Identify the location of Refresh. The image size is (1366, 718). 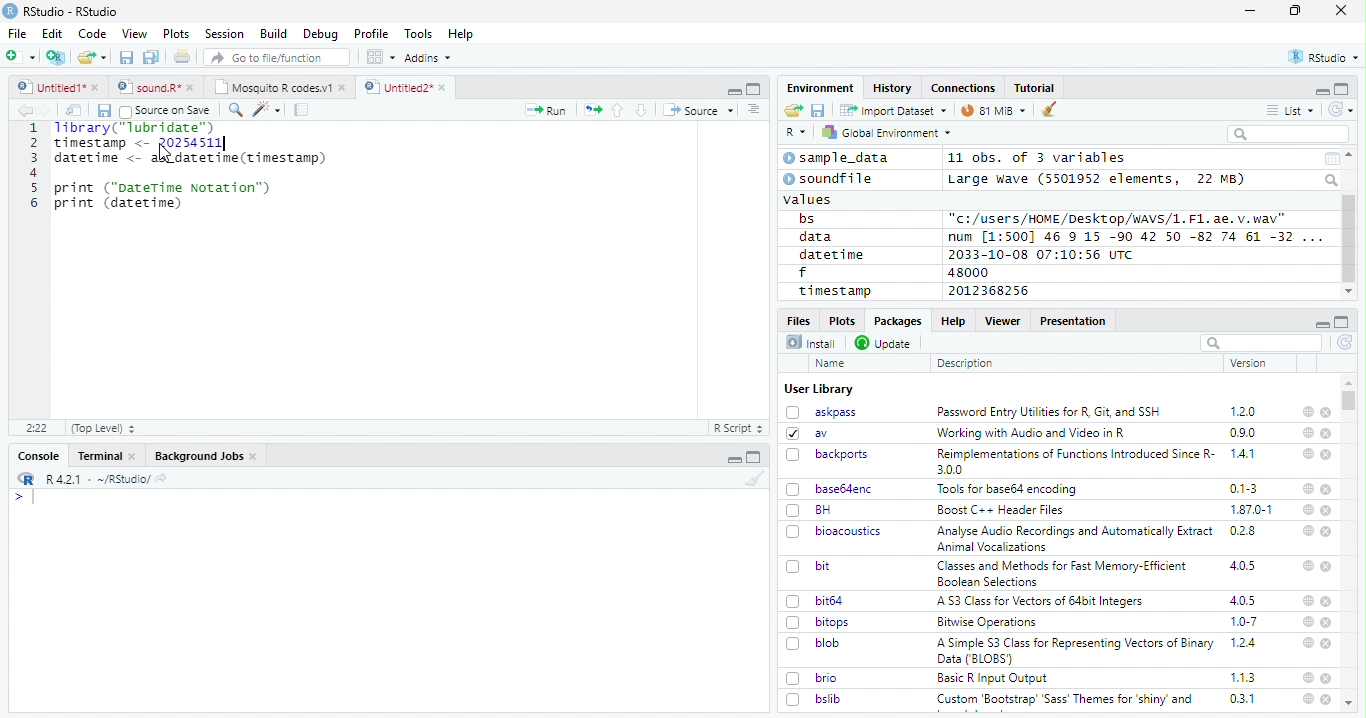
(1342, 109).